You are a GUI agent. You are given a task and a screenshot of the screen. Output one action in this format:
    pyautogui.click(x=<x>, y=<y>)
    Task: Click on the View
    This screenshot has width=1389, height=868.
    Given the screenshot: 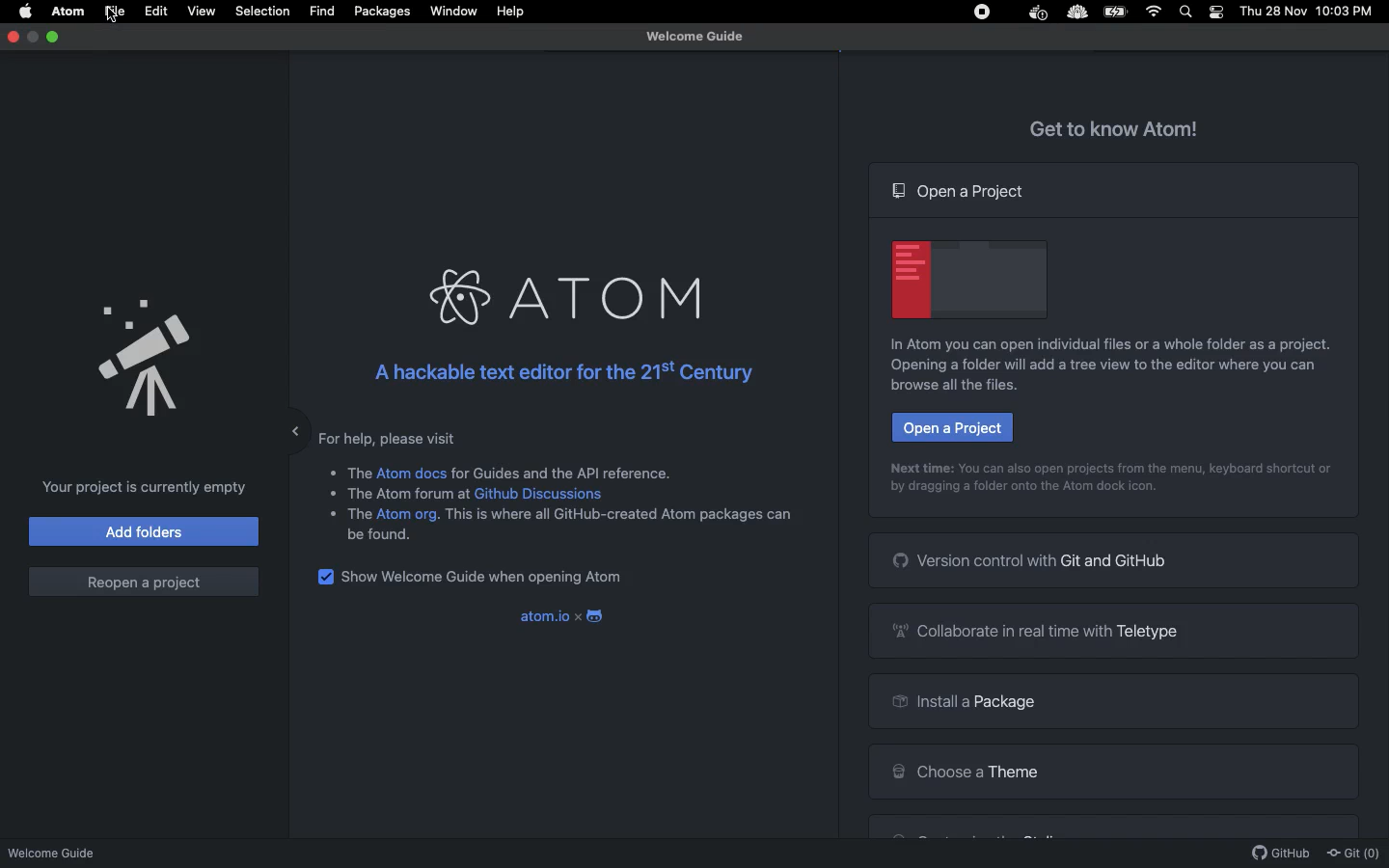 What is the action you would take?
    pyautogui.click(x=201, y=11)
    